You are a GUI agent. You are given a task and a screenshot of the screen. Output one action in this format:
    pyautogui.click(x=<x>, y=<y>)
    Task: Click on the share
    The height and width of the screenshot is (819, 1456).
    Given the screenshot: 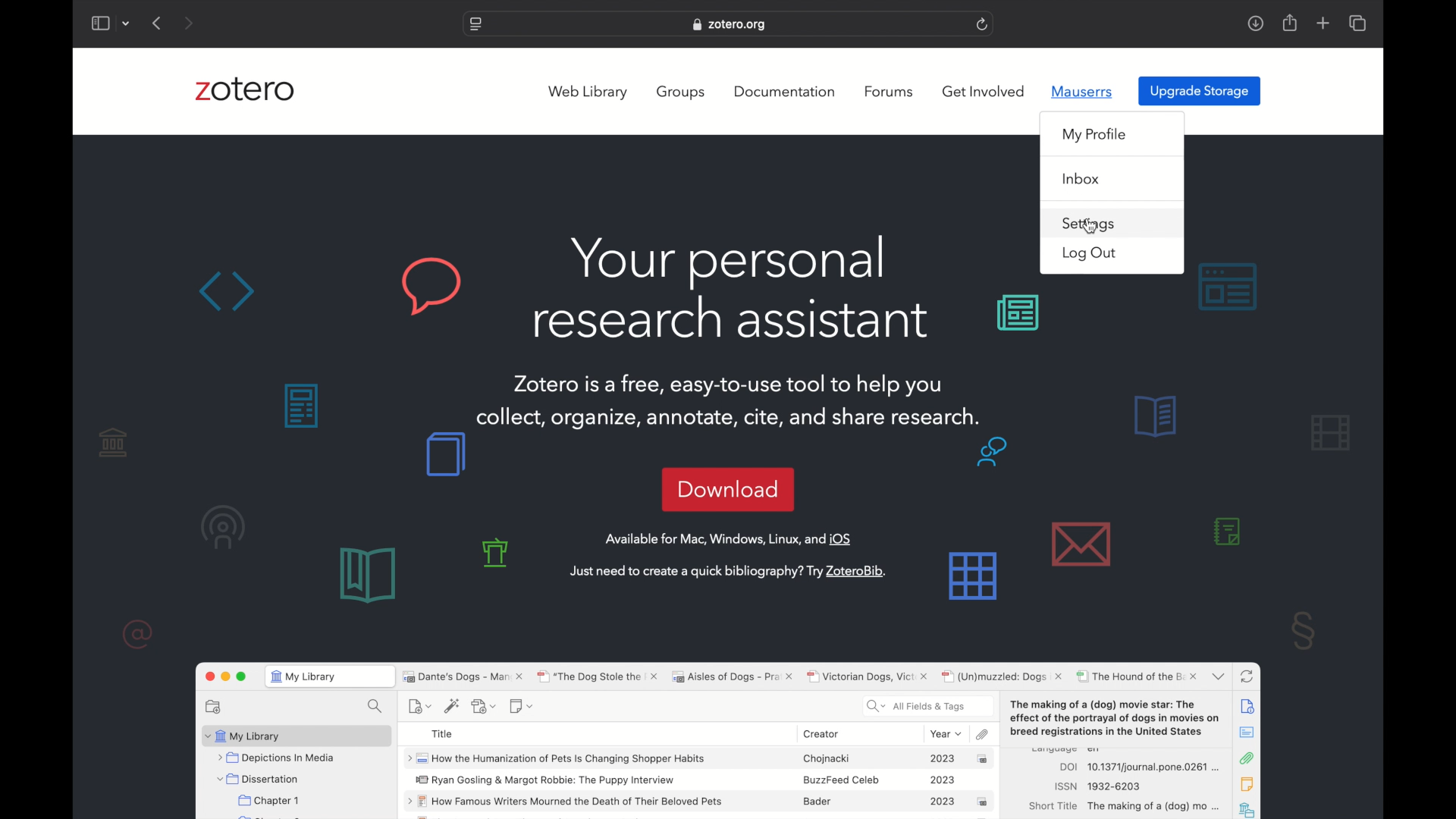 What is the action you would take?
    pyautogui.click(x=1288, y=23)
    